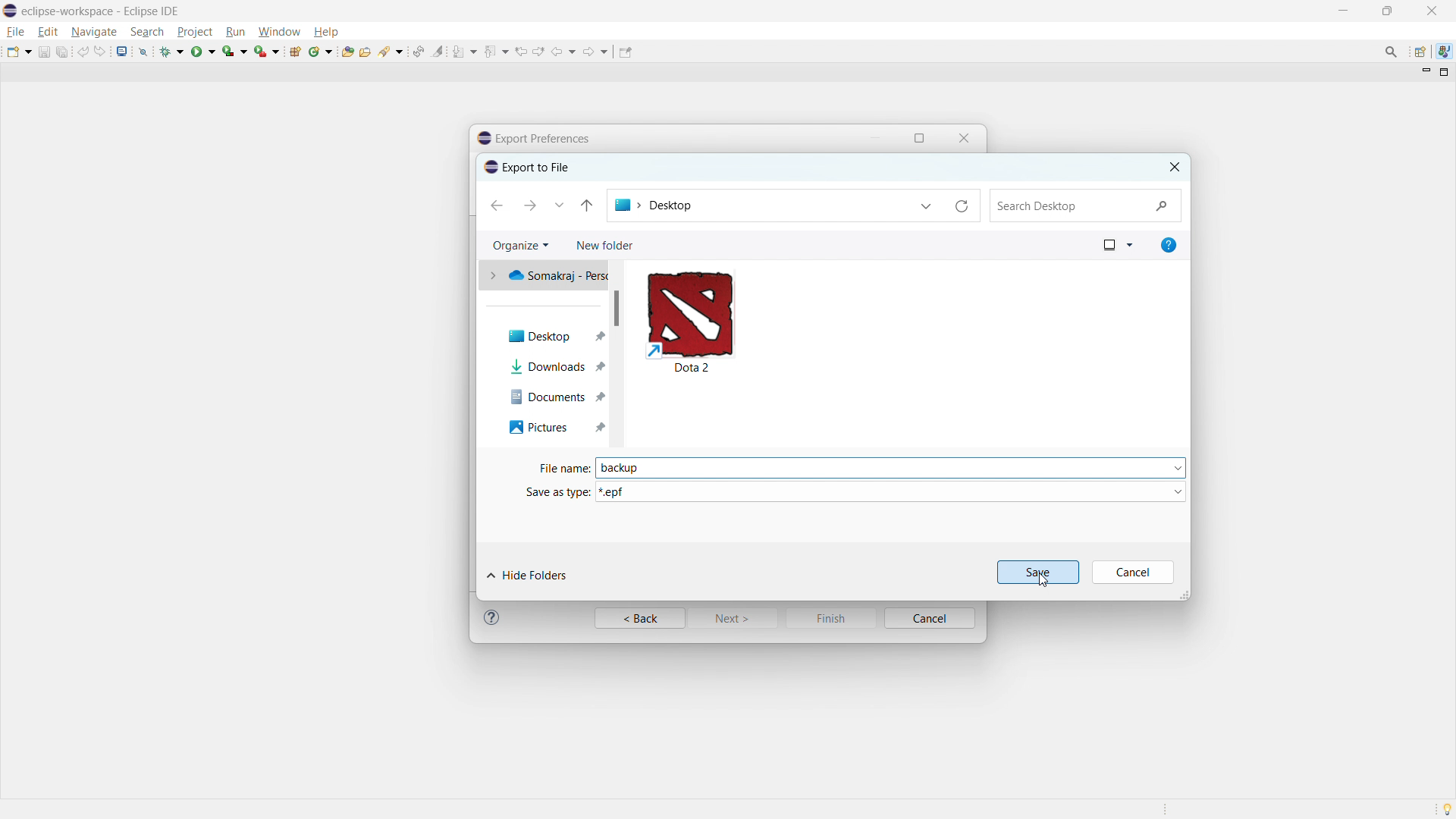  Describe the element at coordinates (10, 11) in the screenshot. I see `logo` at that location.